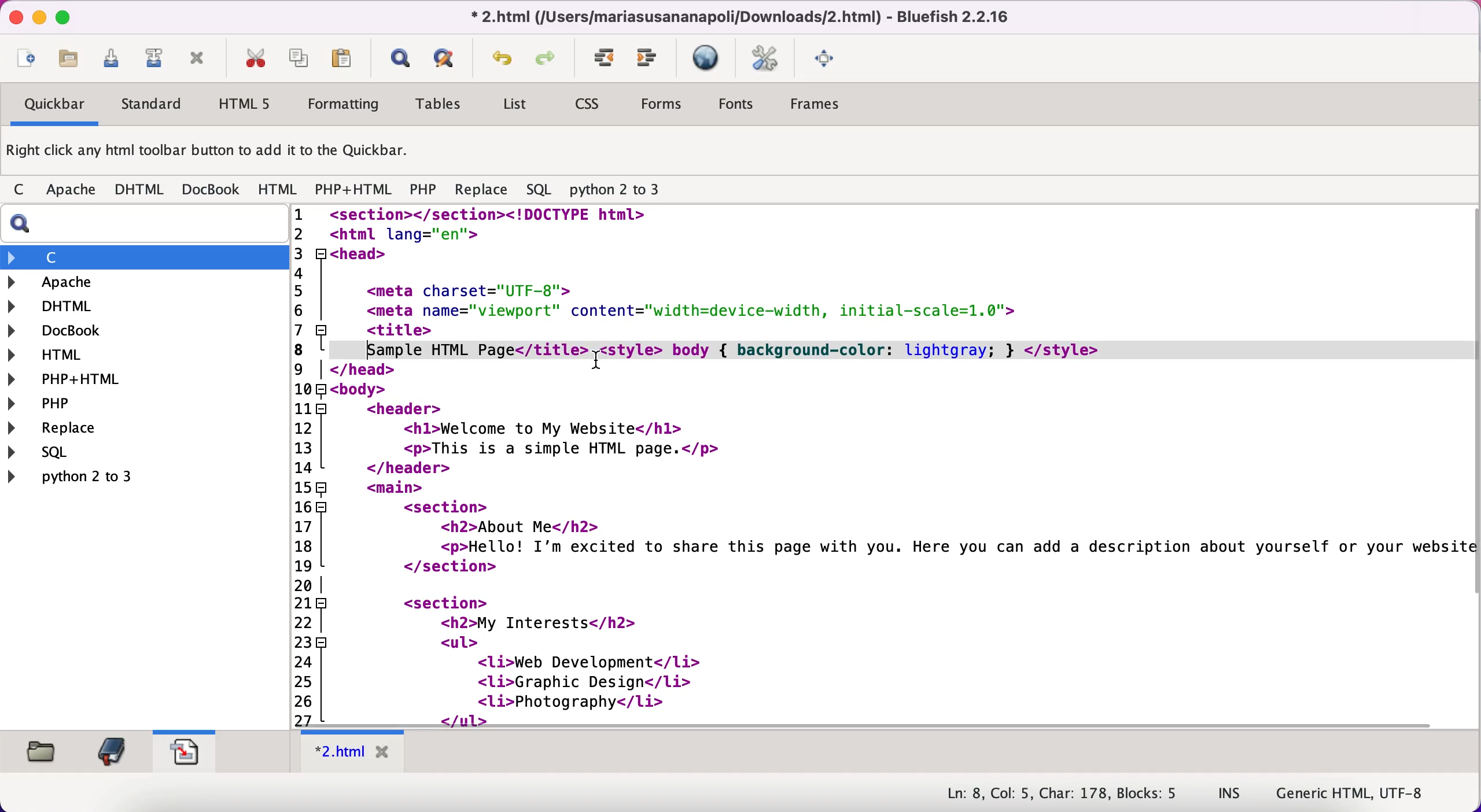 The height and width of the screenshot is (812, 1481). What do you see at coordinates (664, 107) in the screenshot?
I see `forms` at bounding box center [664, 107].